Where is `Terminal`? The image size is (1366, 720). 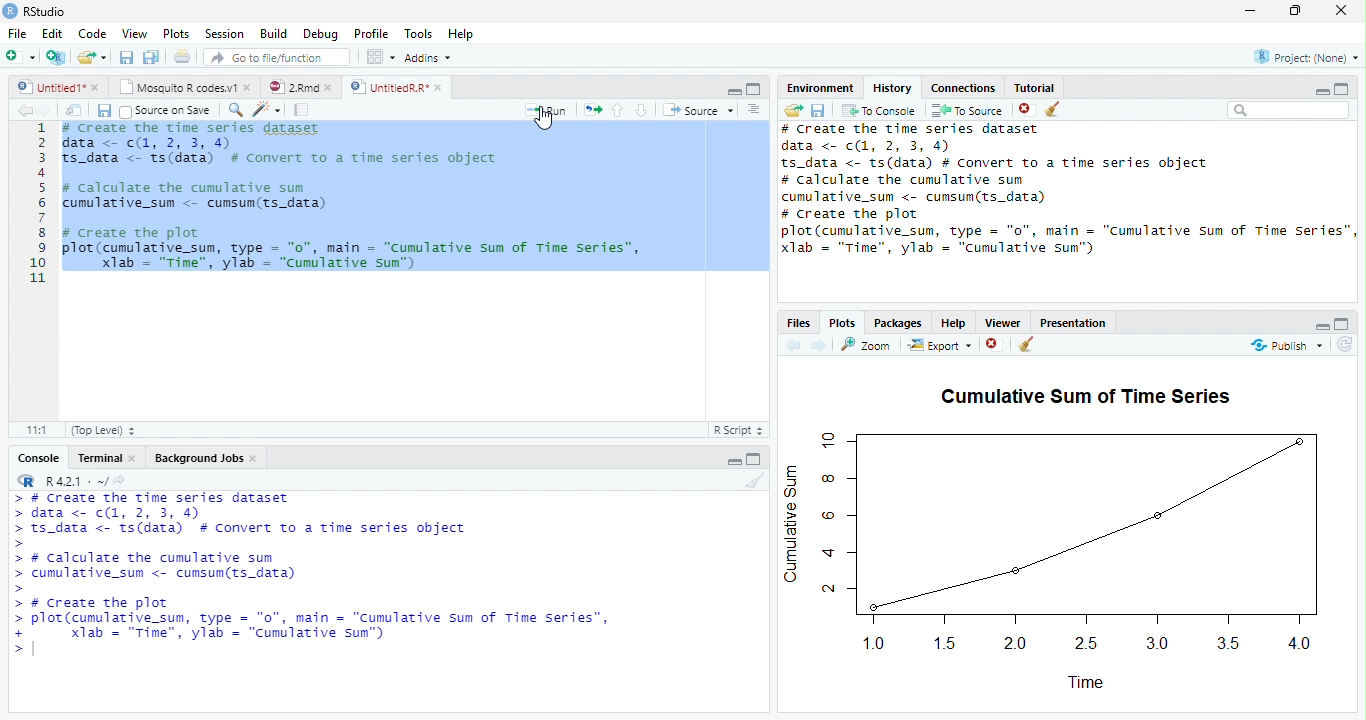
Terminal is located at coordinates (106, 458).